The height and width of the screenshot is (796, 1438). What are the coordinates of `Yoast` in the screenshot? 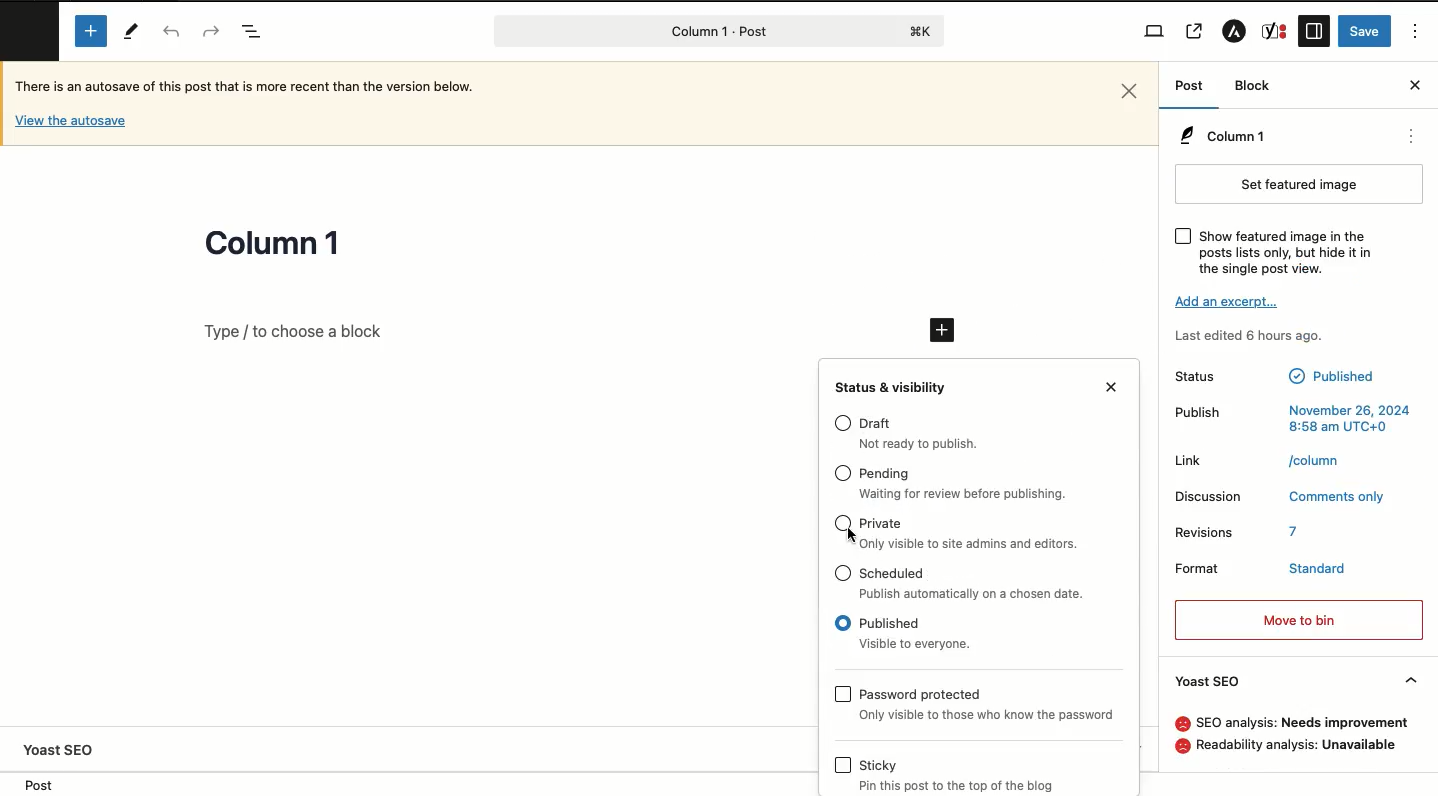 It's located at (1273, 30).